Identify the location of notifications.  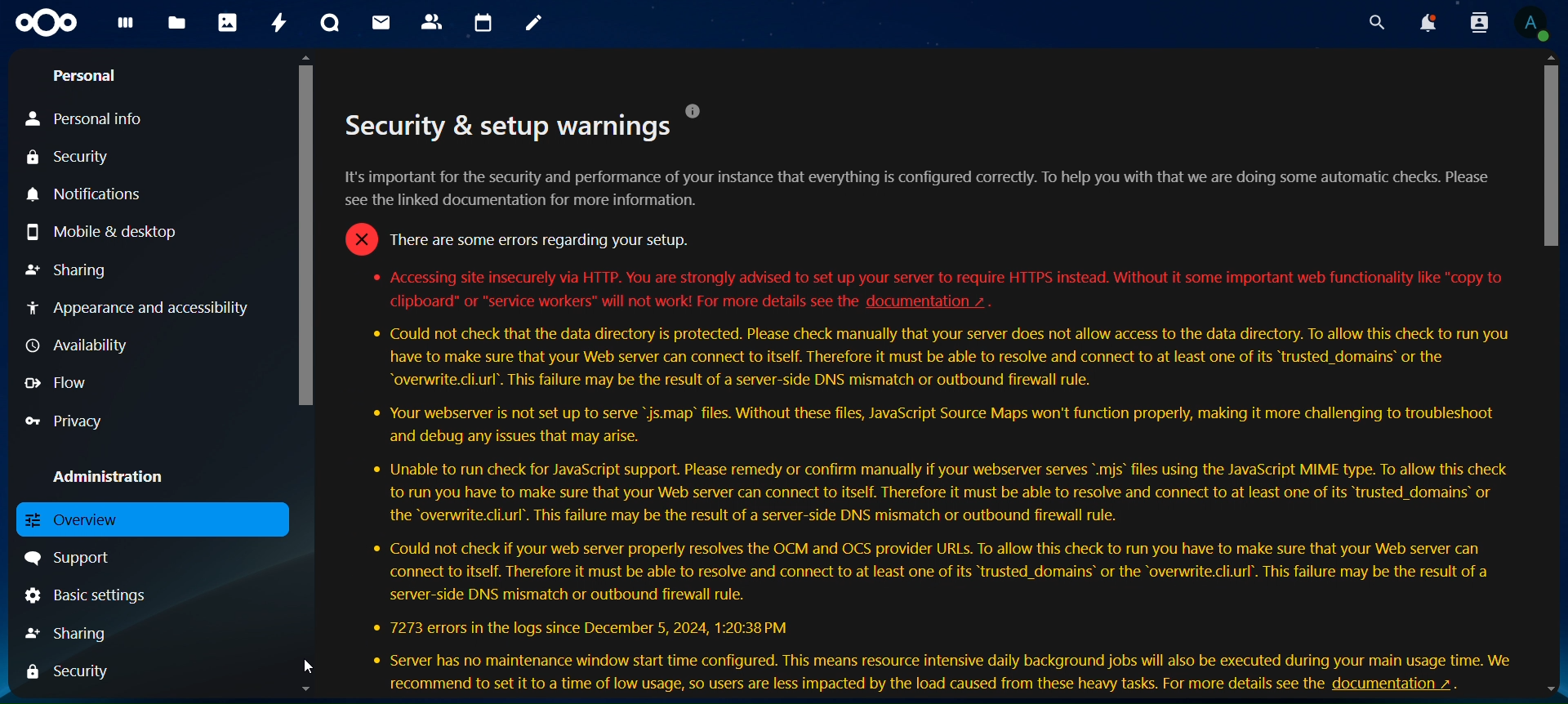
(1426, 23).